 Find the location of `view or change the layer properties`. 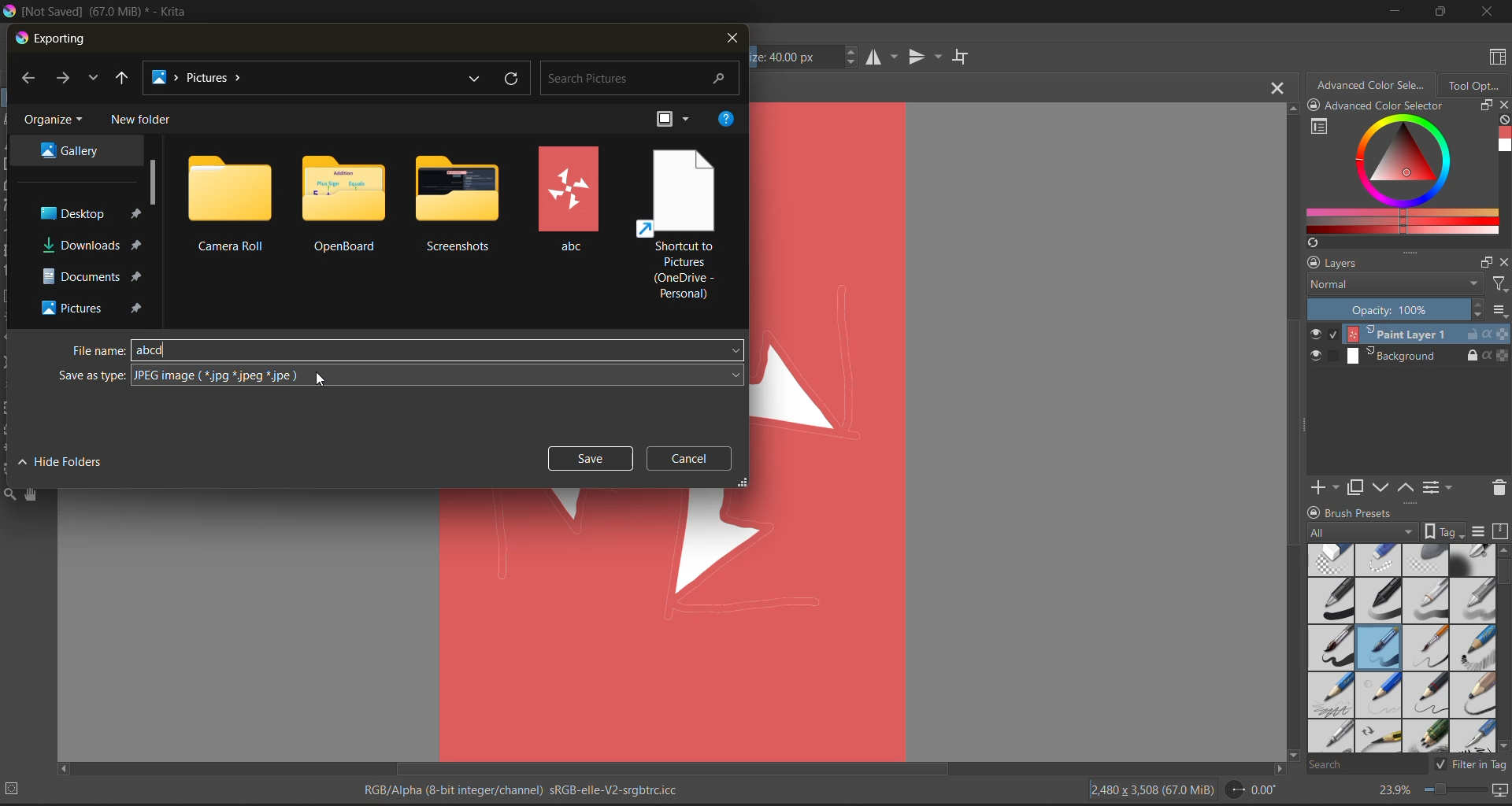

view or change the layer properties is located at coordinates (1439, 486).